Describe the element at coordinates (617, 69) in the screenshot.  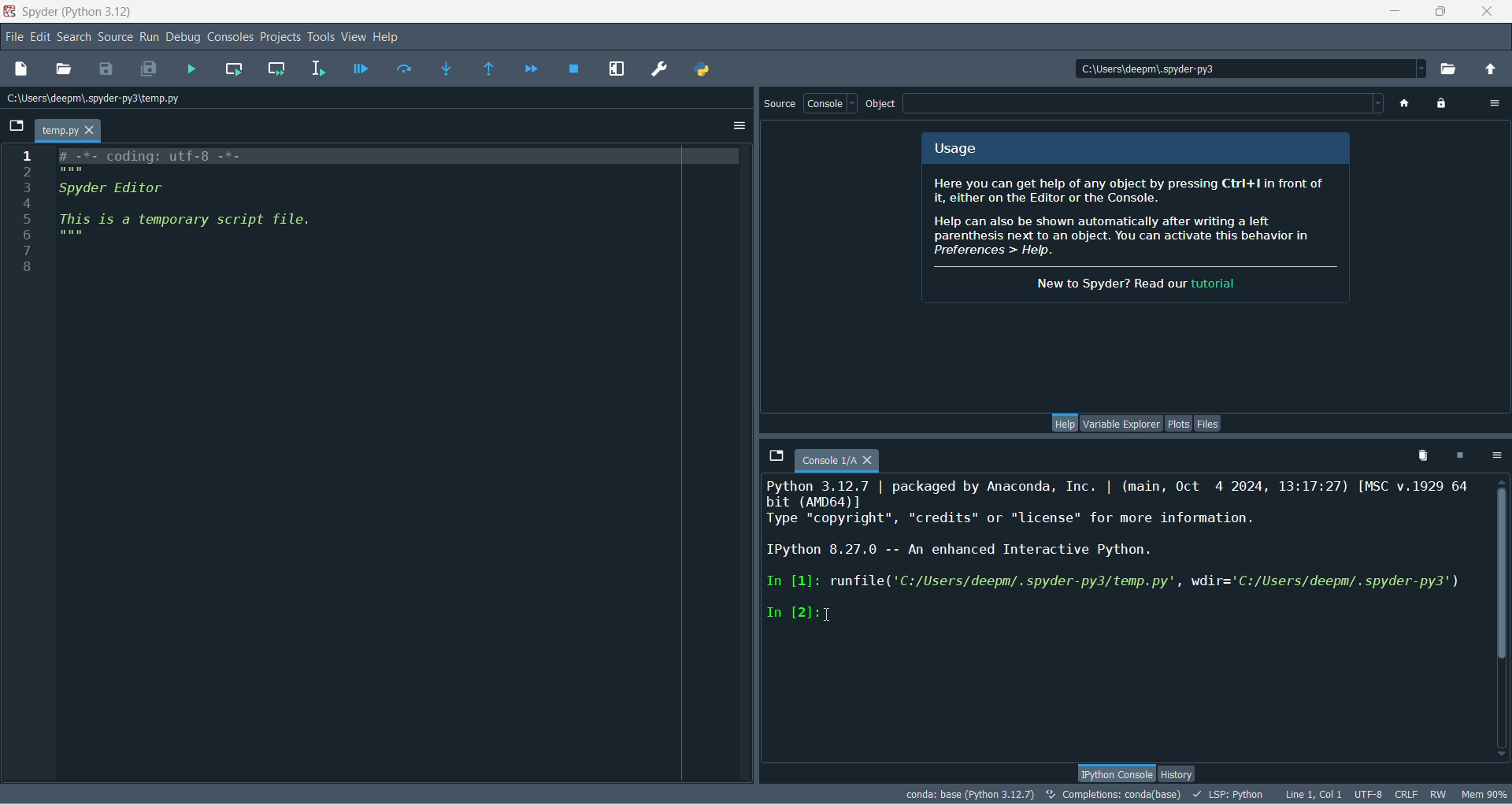
I see `maximize current pane` at that location.